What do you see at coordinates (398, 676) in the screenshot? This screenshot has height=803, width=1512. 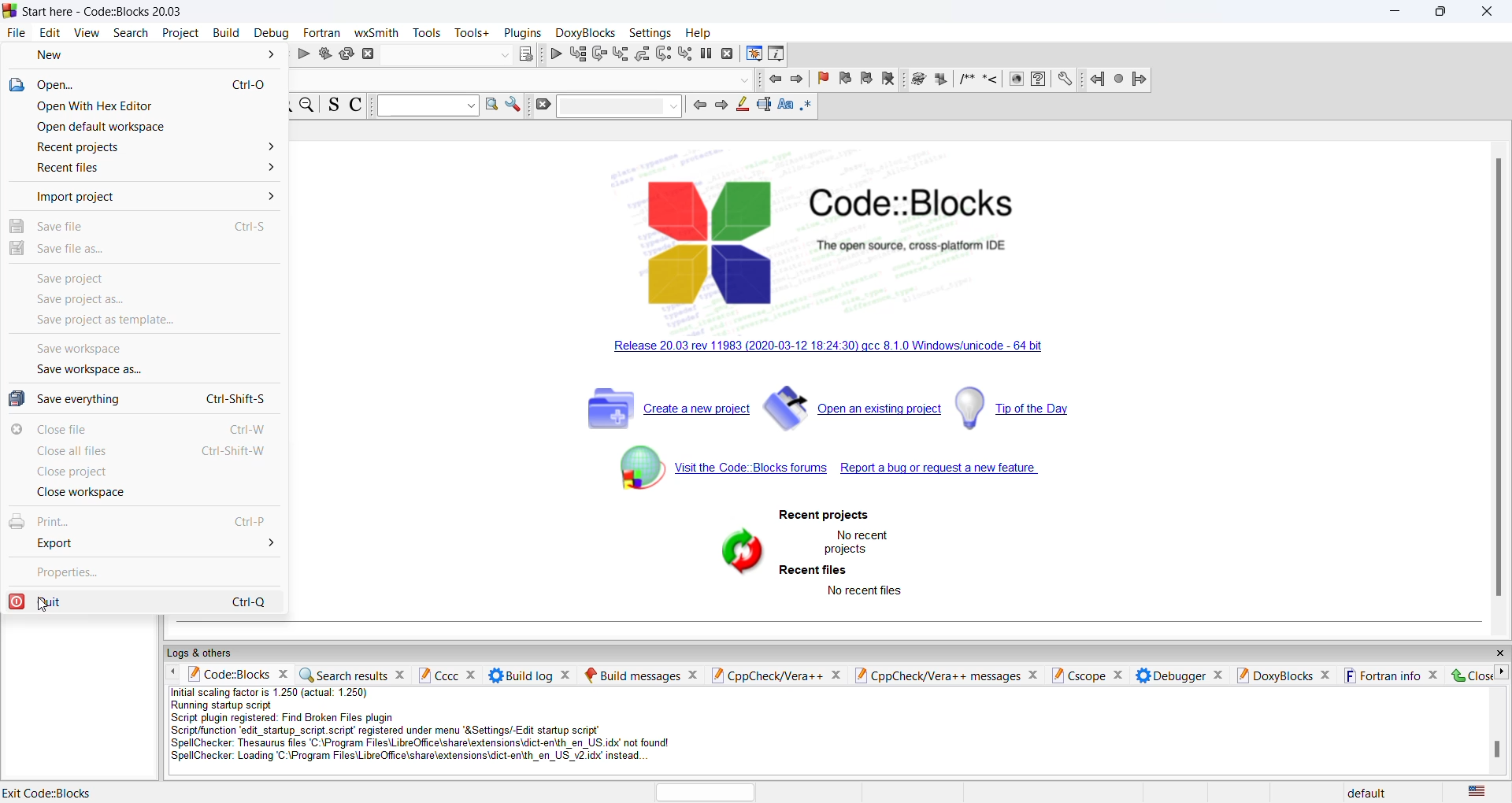 I see `close` at bounding box center [398, 676].